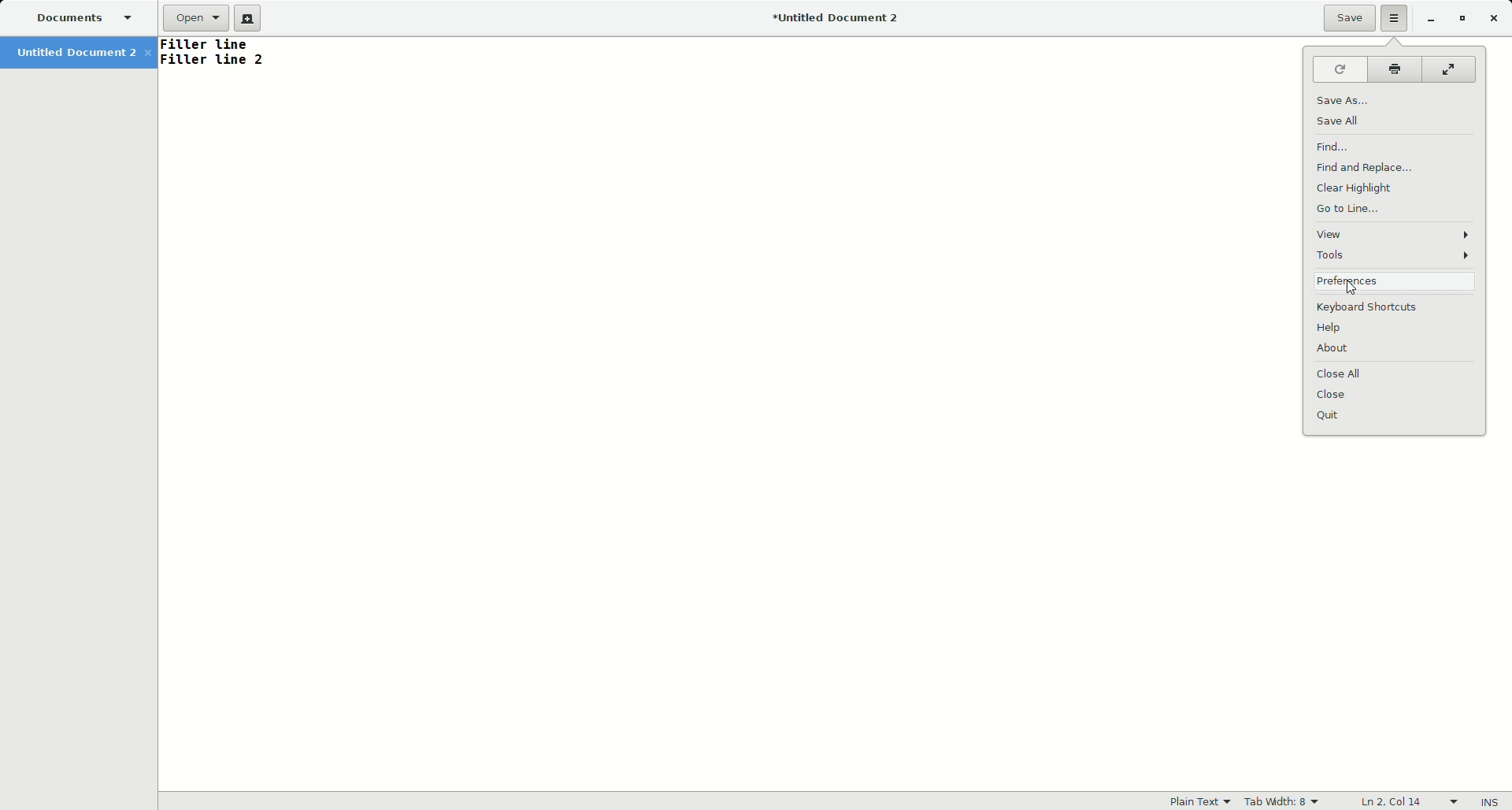 The width and height of the screenshot is (1512, 810). Describe the element at coordinates (197, 20) in the screenshot. I see `Open` at that location.